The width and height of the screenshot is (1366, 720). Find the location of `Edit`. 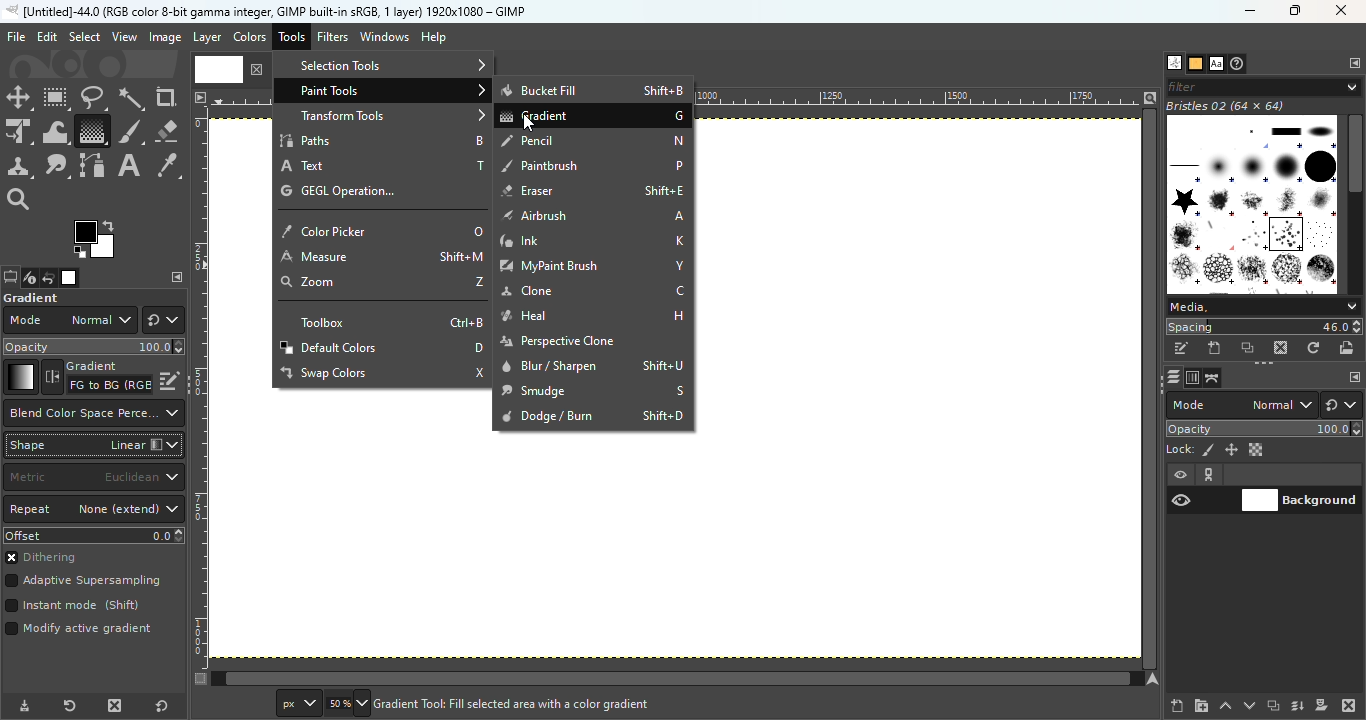

Edit is located at coordinates (47, 37).